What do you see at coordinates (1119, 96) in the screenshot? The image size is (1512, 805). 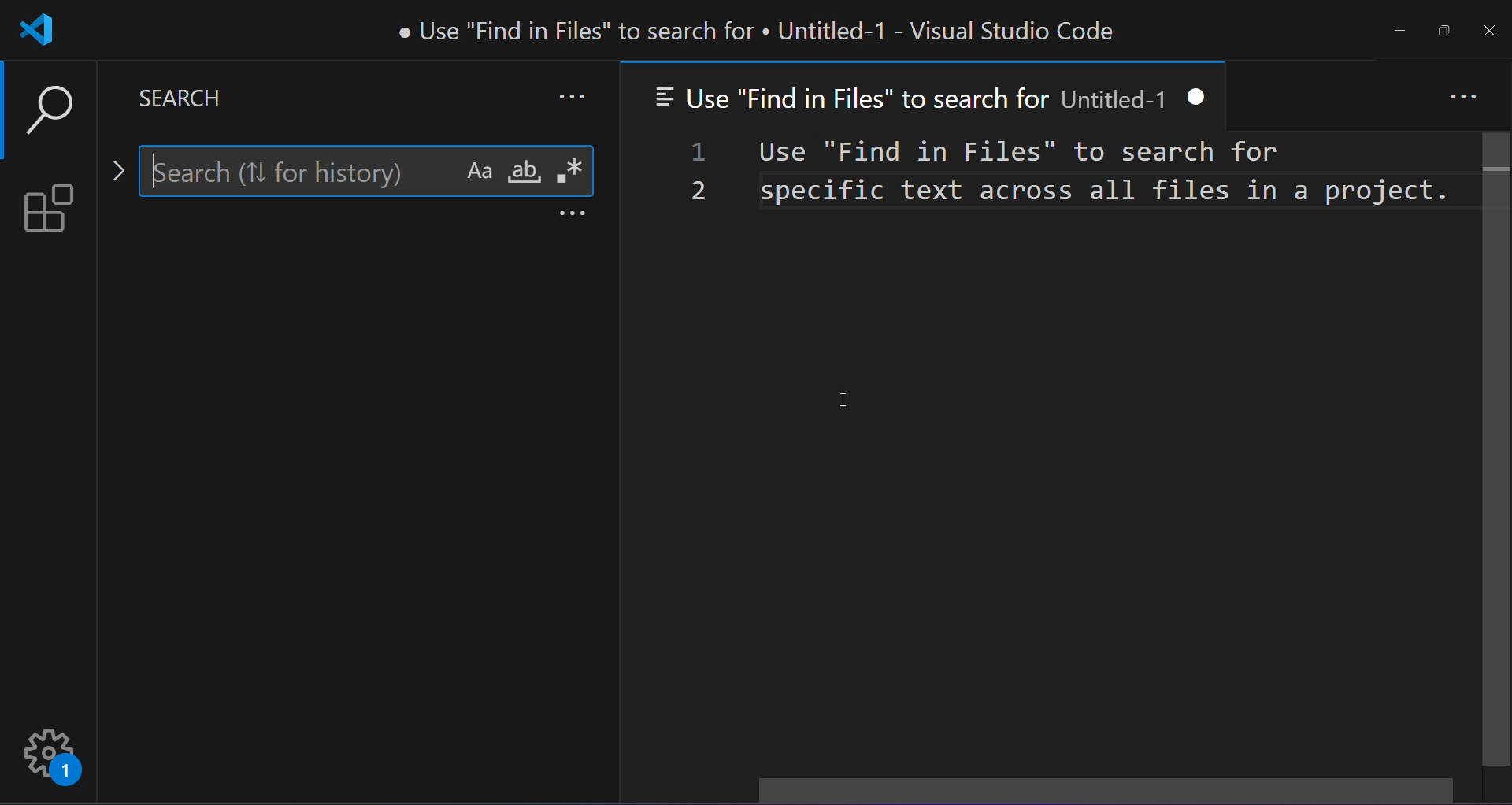 I see `Untitled-1` at bounding box center [1119, 96].